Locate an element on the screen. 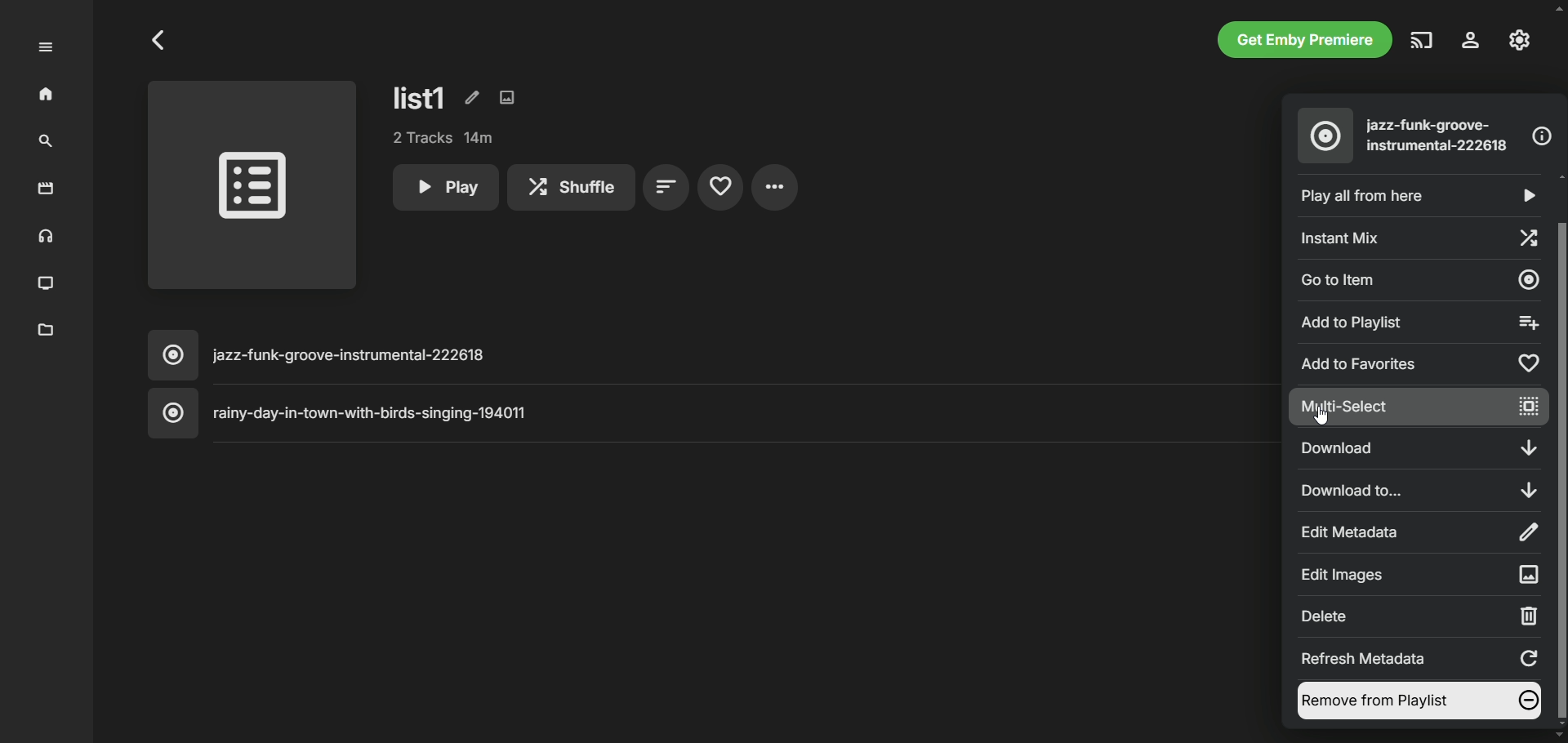 This screenshot has height=743, width=1568. get emby premiere is located at coordinates (1305, 39).